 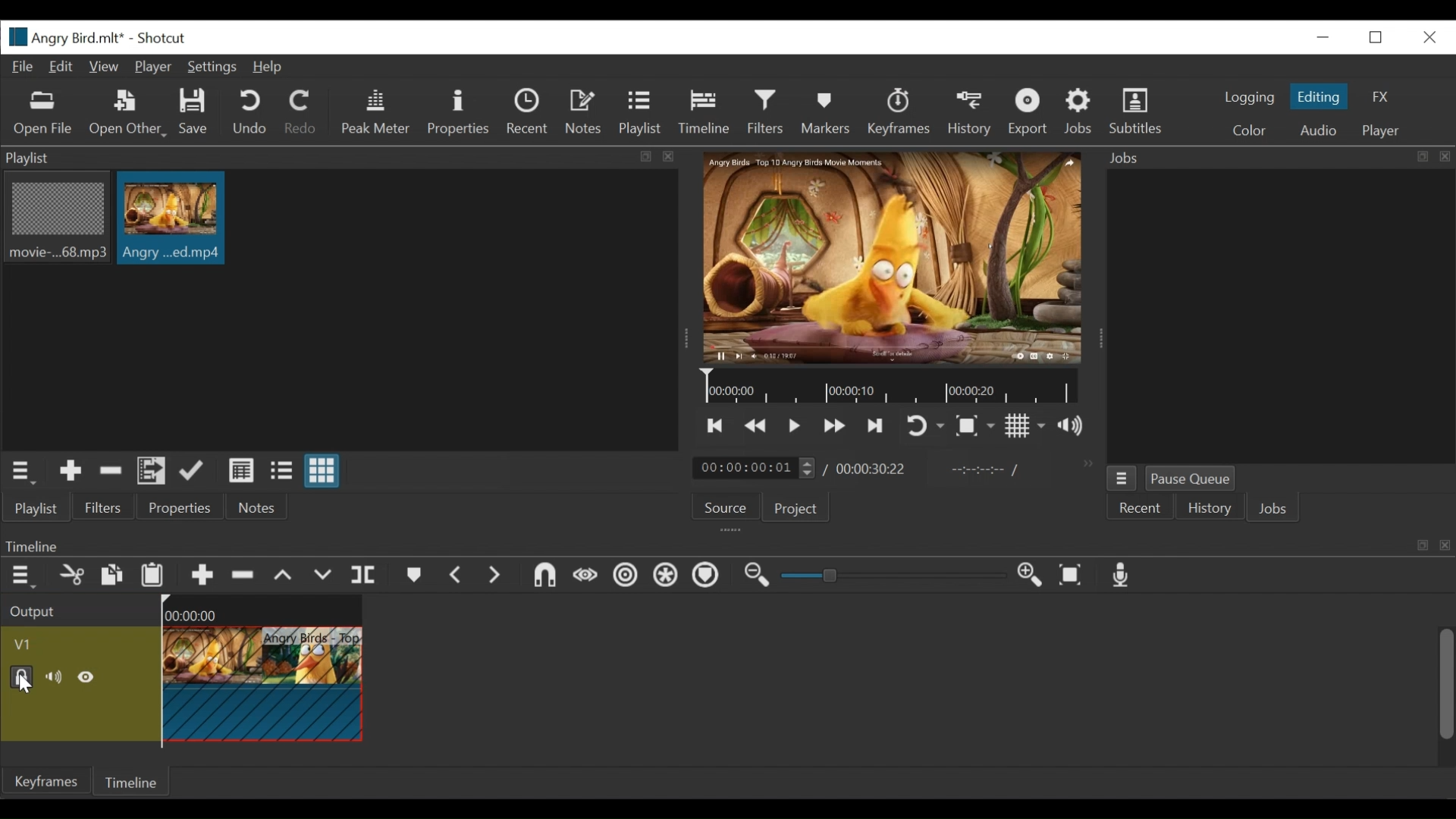 What do you see at coordinates (37, 509) in the screenshot?
I see `Playlist` at bounding box center [37, 509].